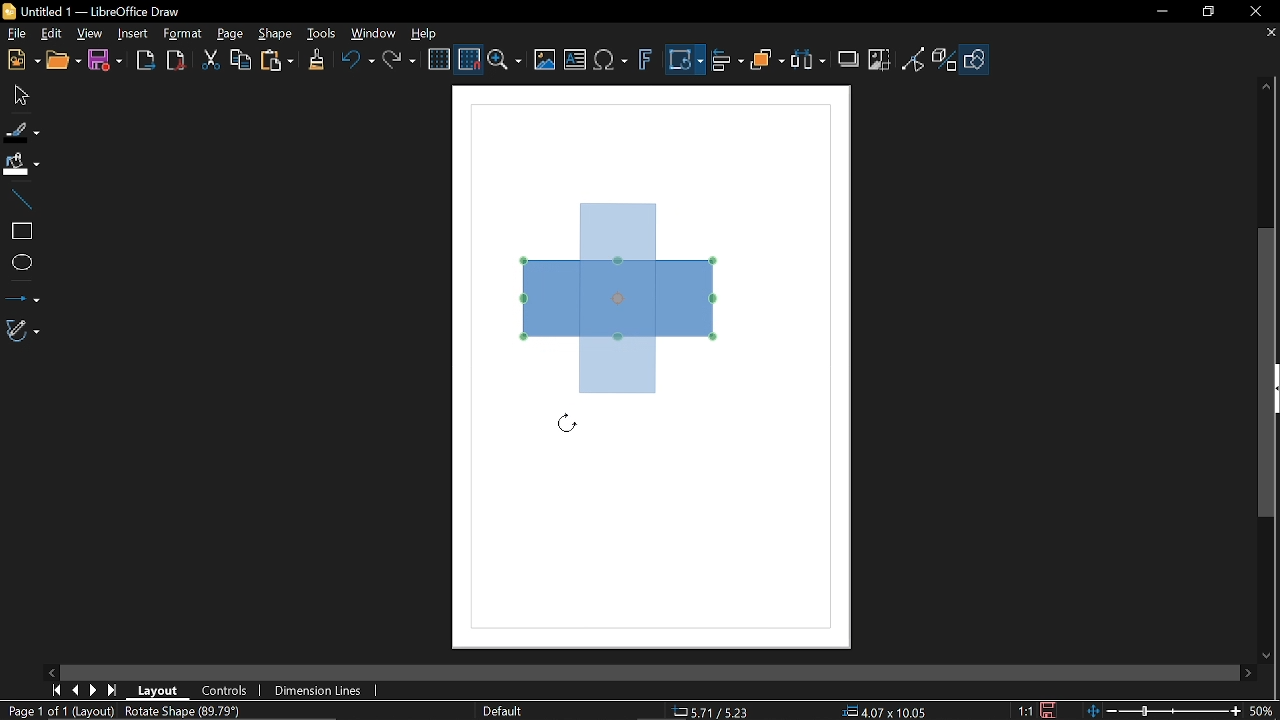  Describe the element at coordinates (645, 62) in the screenshot. I see `Insert fontwork` at that location.